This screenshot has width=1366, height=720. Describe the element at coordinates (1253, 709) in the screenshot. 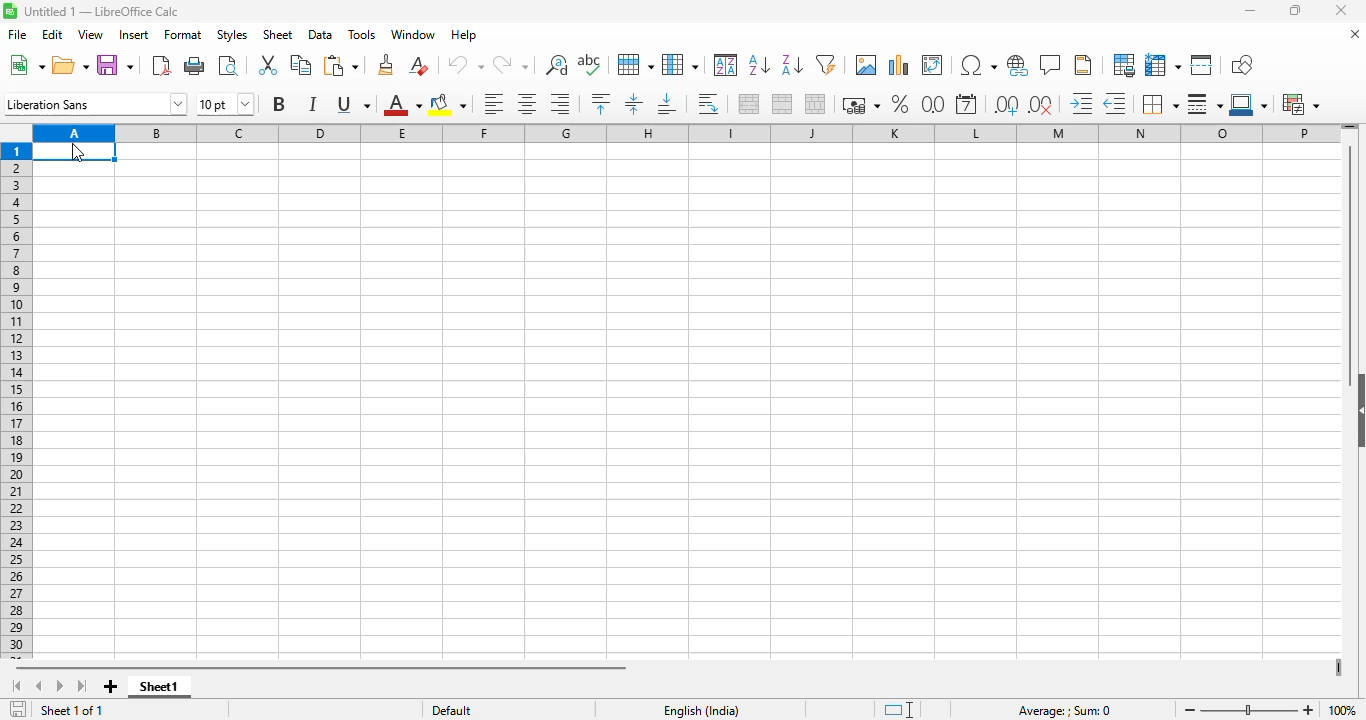

I see `zoom slider` at that location.